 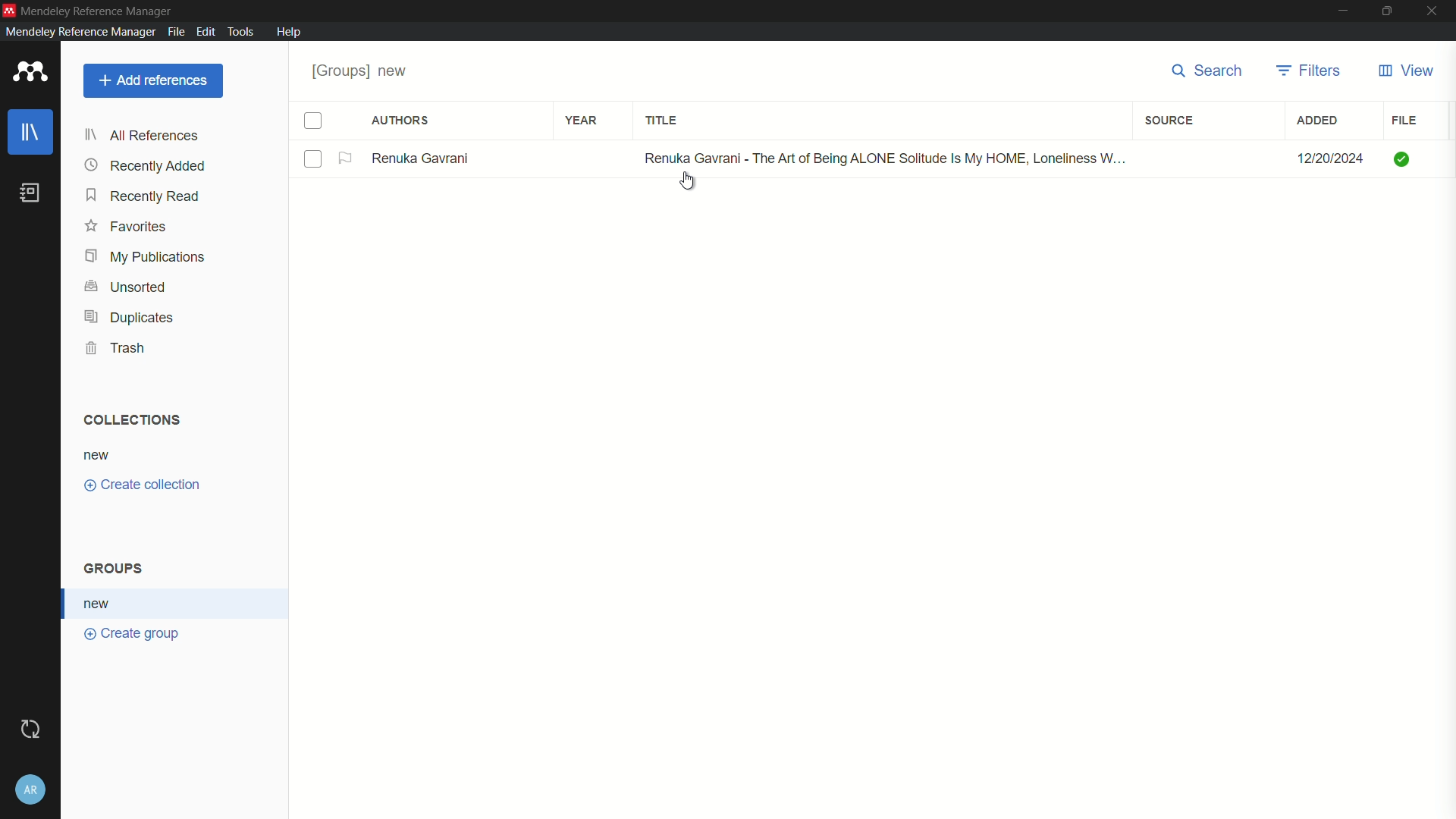 What do you see at coordinates (877, 156) in the screenshot?
I see `Renuka Gavrani-The Art of Being ALONE Solitude Is My HOME, Loneliness W...` at bounding box center [877, 156].